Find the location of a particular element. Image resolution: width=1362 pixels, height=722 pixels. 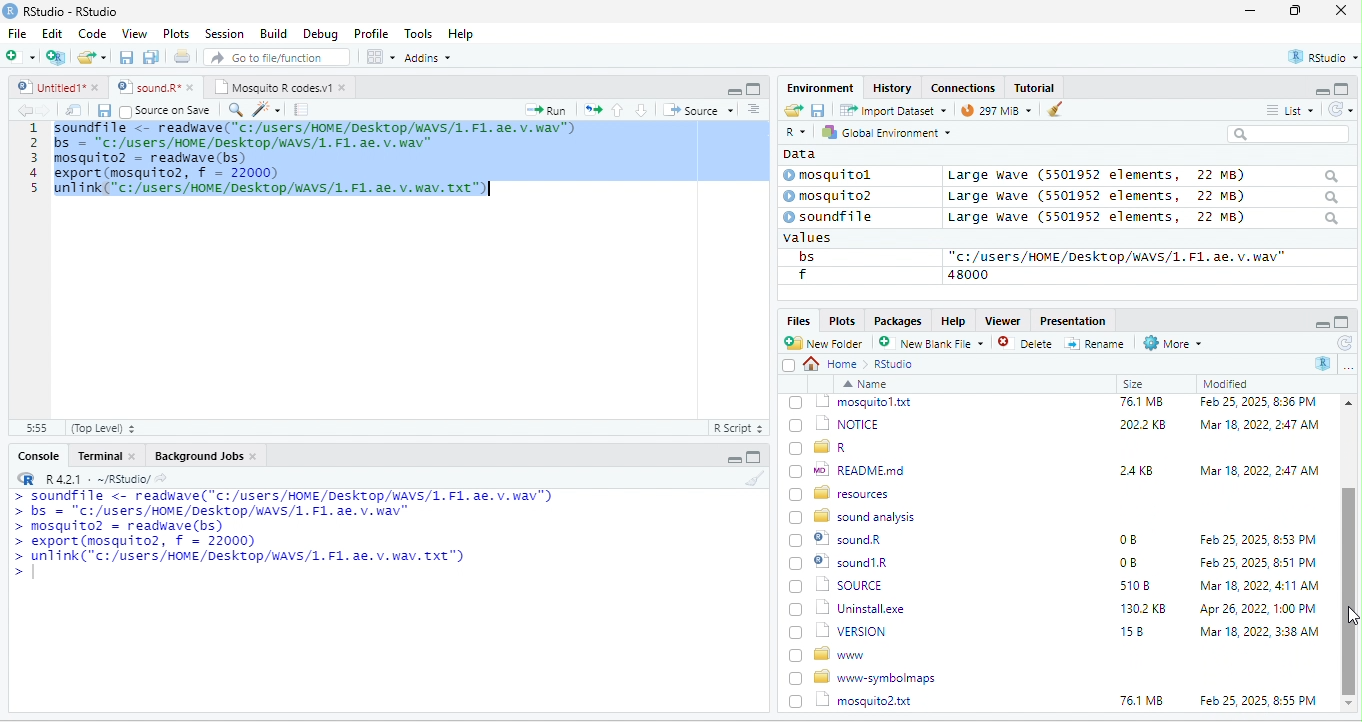

maximize is located at coordinates (1342, 322).